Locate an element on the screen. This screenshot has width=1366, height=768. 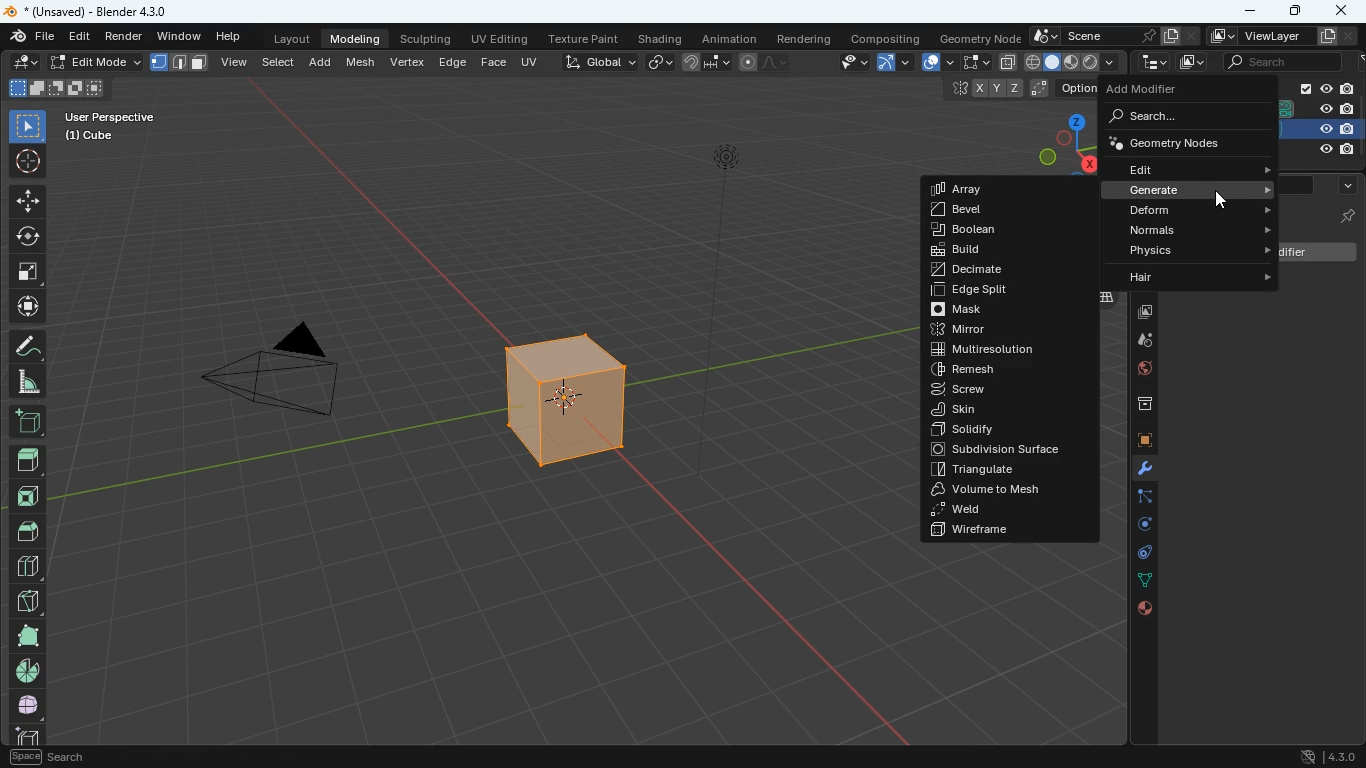
triangulate is located at coordinates (1001, 472).